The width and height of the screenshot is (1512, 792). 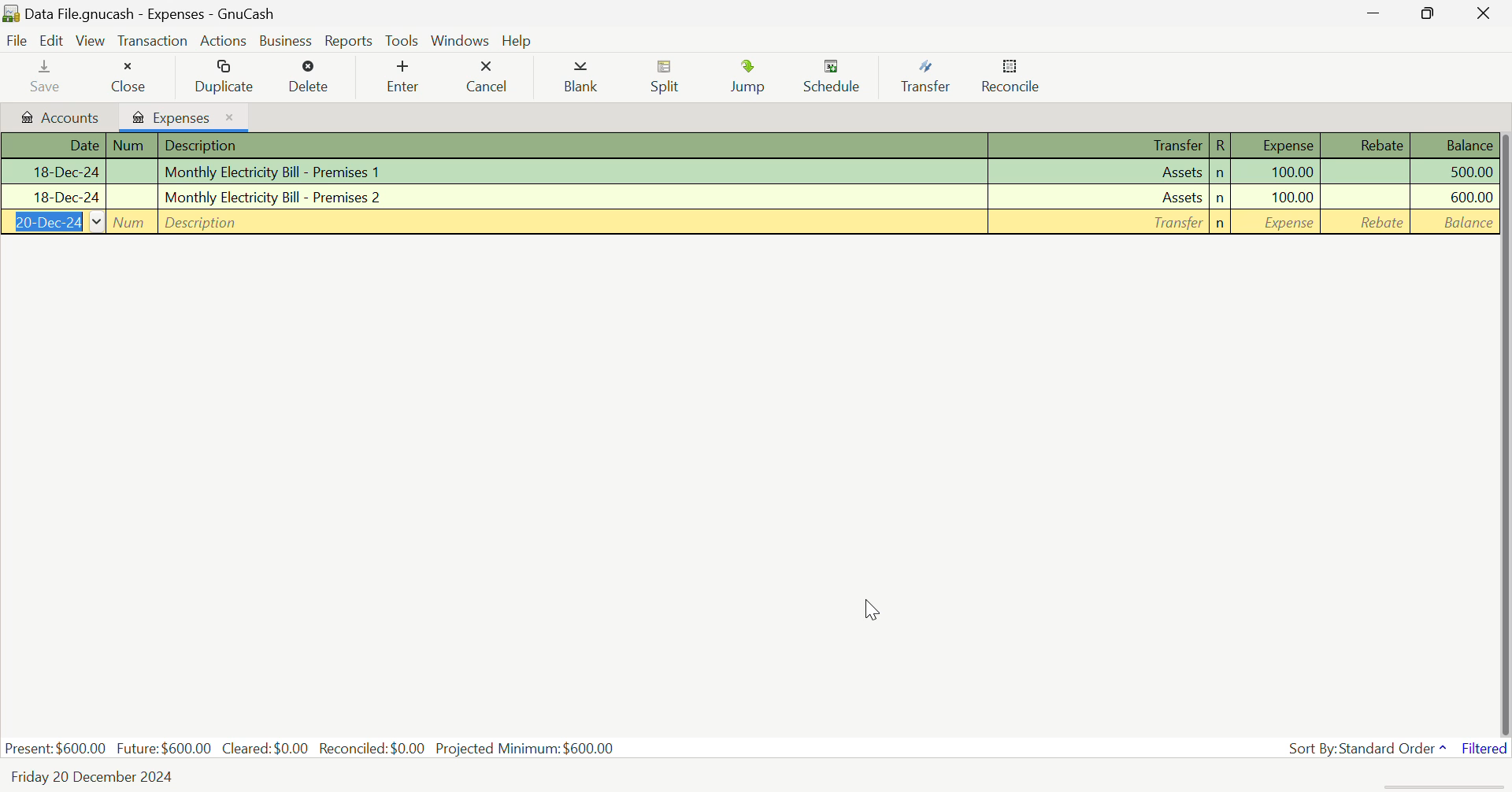 I want to click on Balance, so click(x=1451, y=147).